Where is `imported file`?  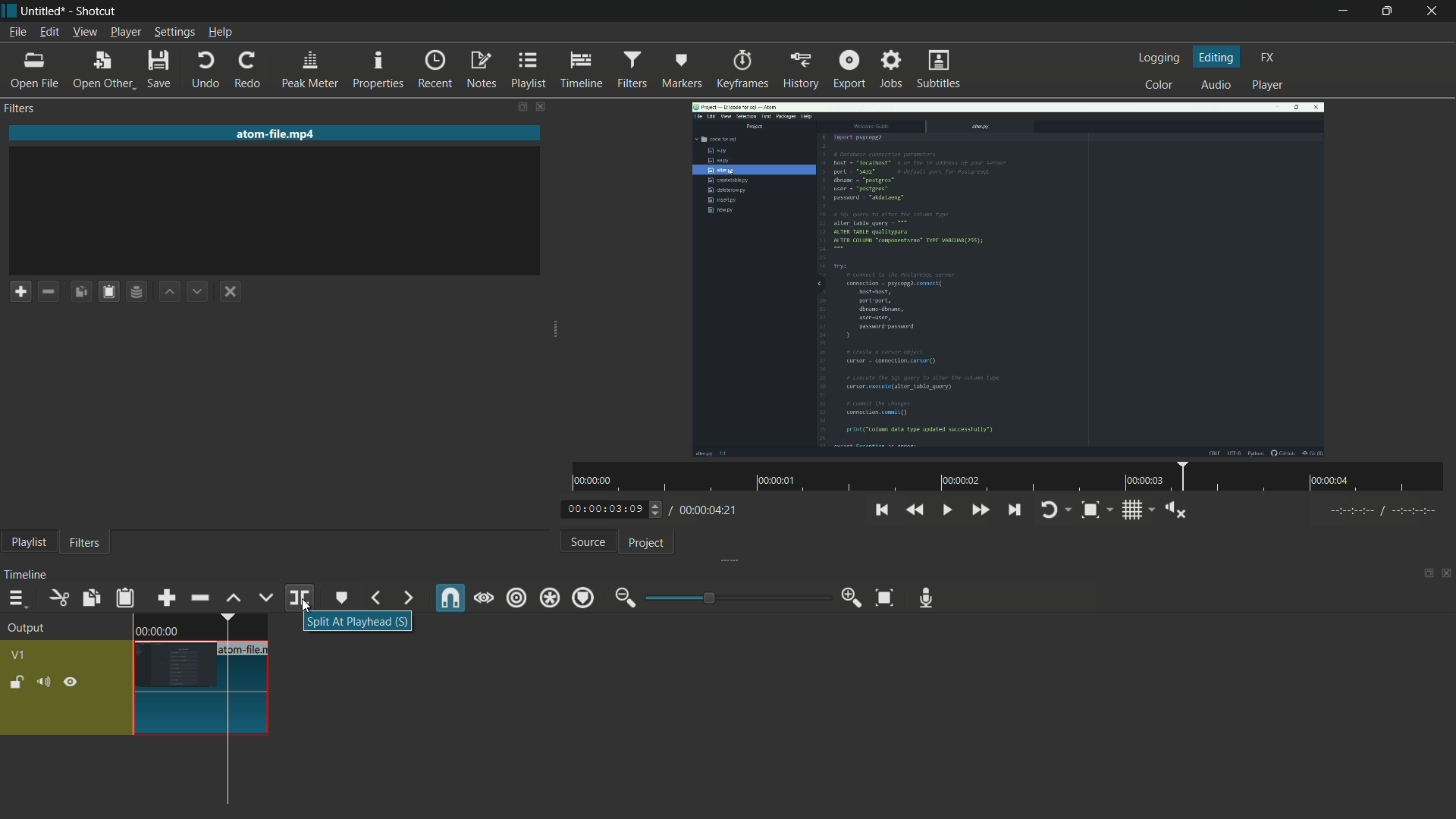 imported file is located at coordinates (1009, 279).